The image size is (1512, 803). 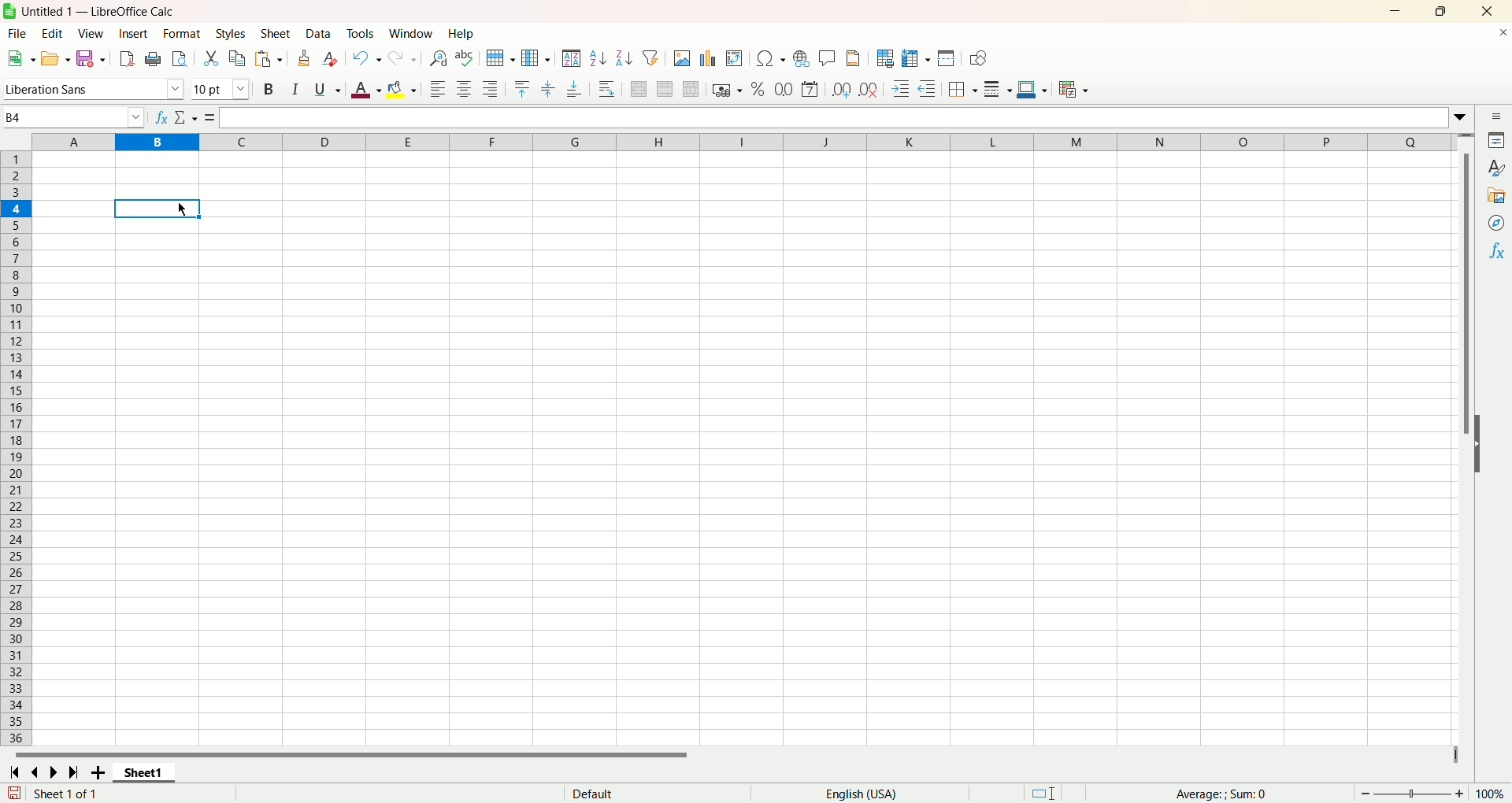 What do you see at coordinates (20, 57) in the screenshot?
I see `New` at bounding box center [20, 57].